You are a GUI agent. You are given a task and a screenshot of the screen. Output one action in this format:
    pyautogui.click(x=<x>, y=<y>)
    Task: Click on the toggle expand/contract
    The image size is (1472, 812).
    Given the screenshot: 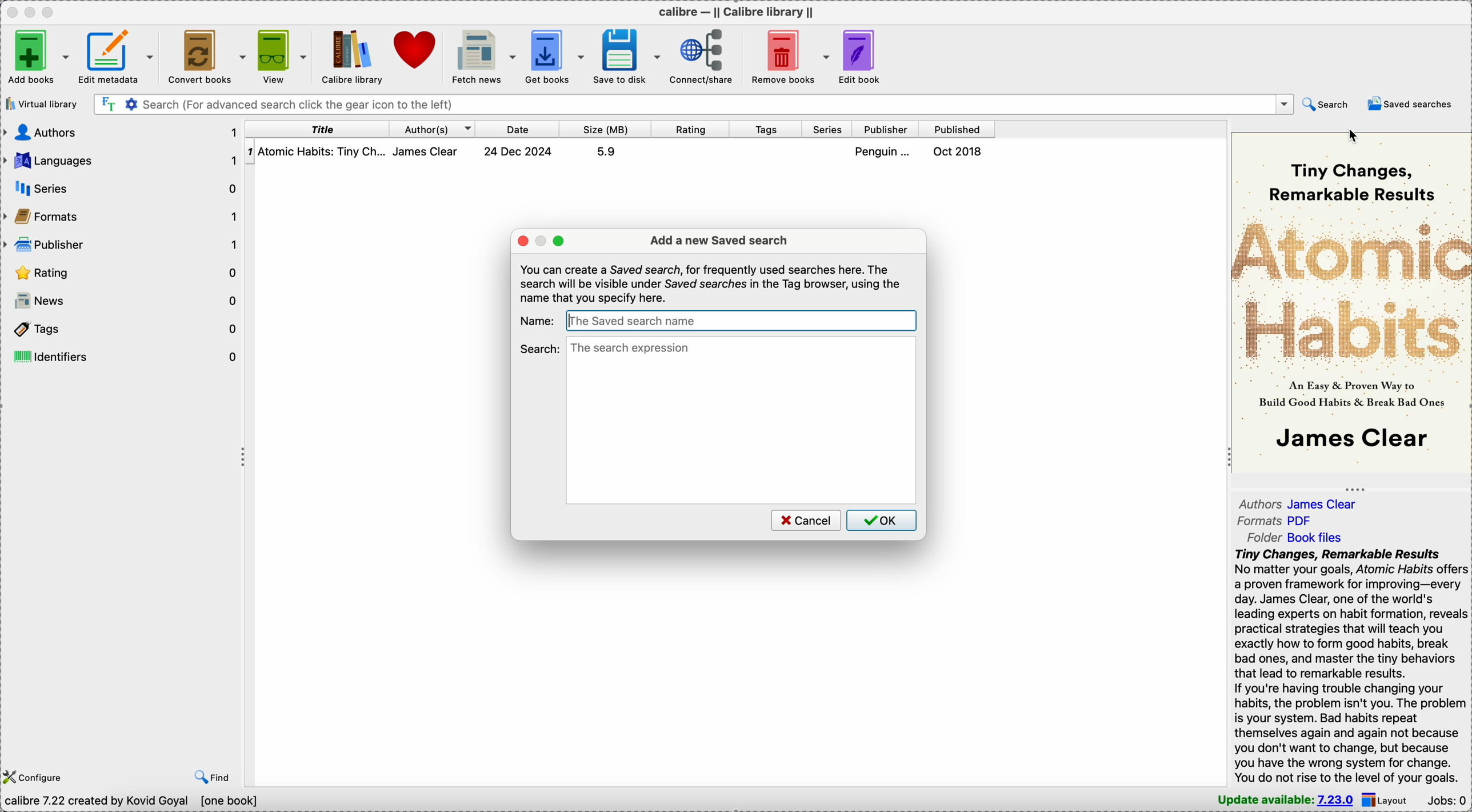 What is the action you would take?
    pyautogui.click(x=244, y=458)
    